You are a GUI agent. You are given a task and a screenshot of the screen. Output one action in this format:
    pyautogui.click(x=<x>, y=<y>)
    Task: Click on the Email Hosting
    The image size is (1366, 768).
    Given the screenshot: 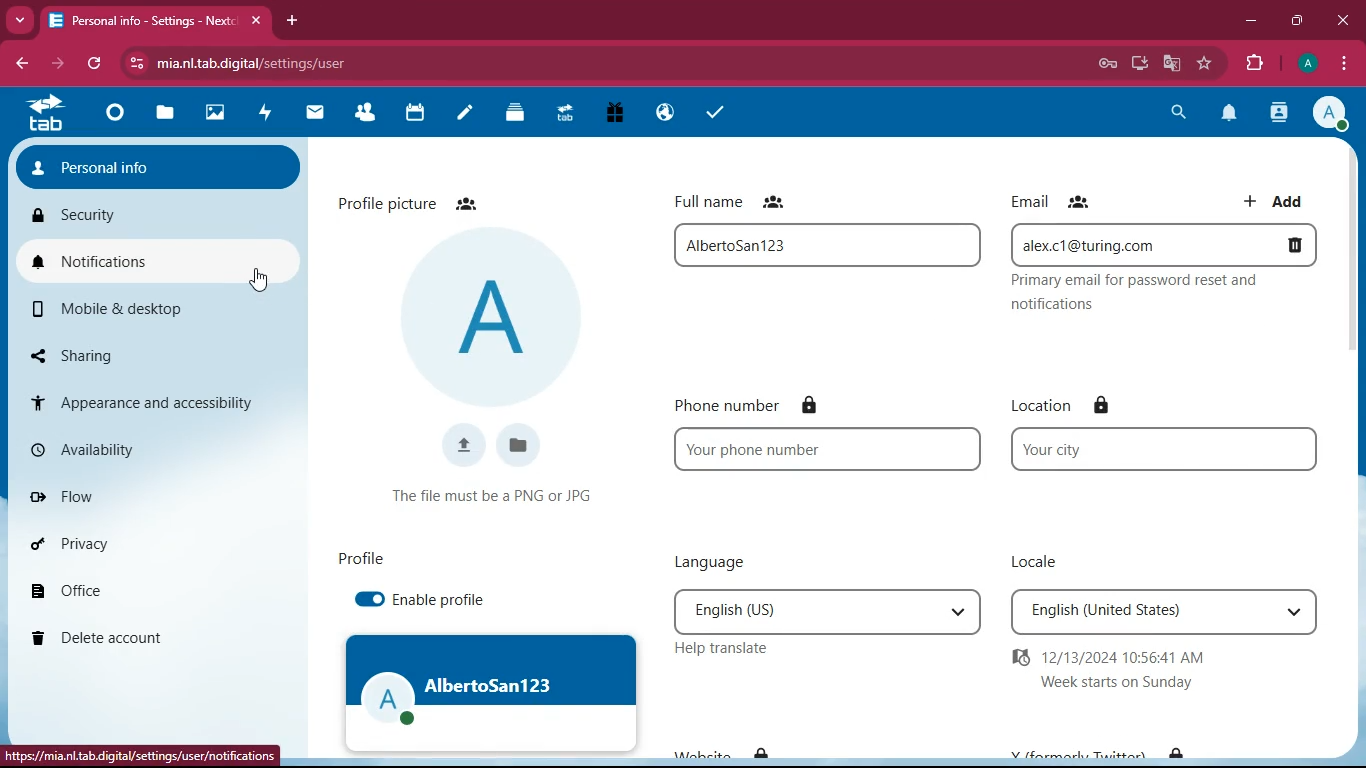 What is the action you would take?
    pyautogui.click(x=666, y=115)
    